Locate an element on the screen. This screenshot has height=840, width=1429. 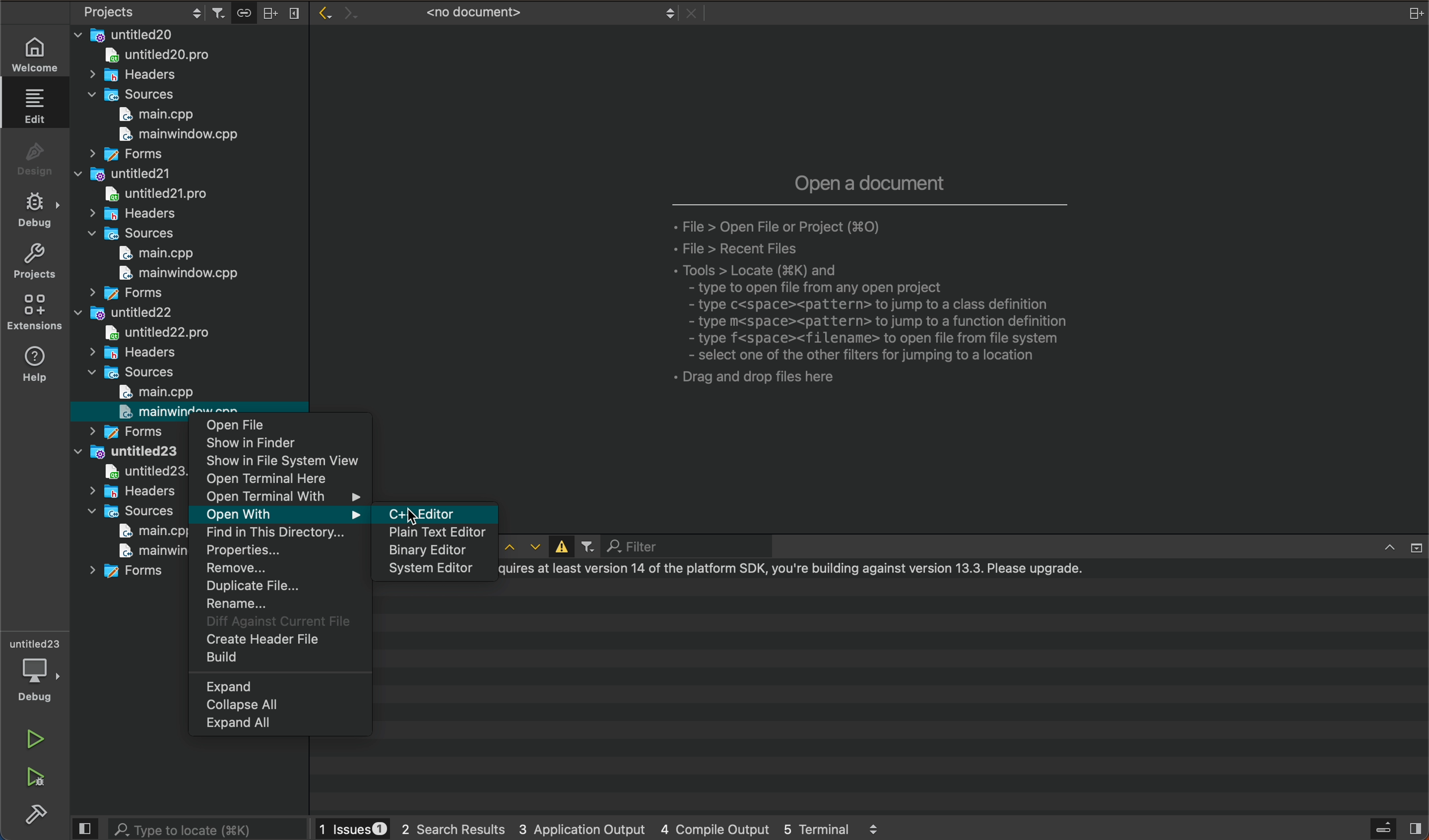
main.cpp is located at coordinates (145, 254).